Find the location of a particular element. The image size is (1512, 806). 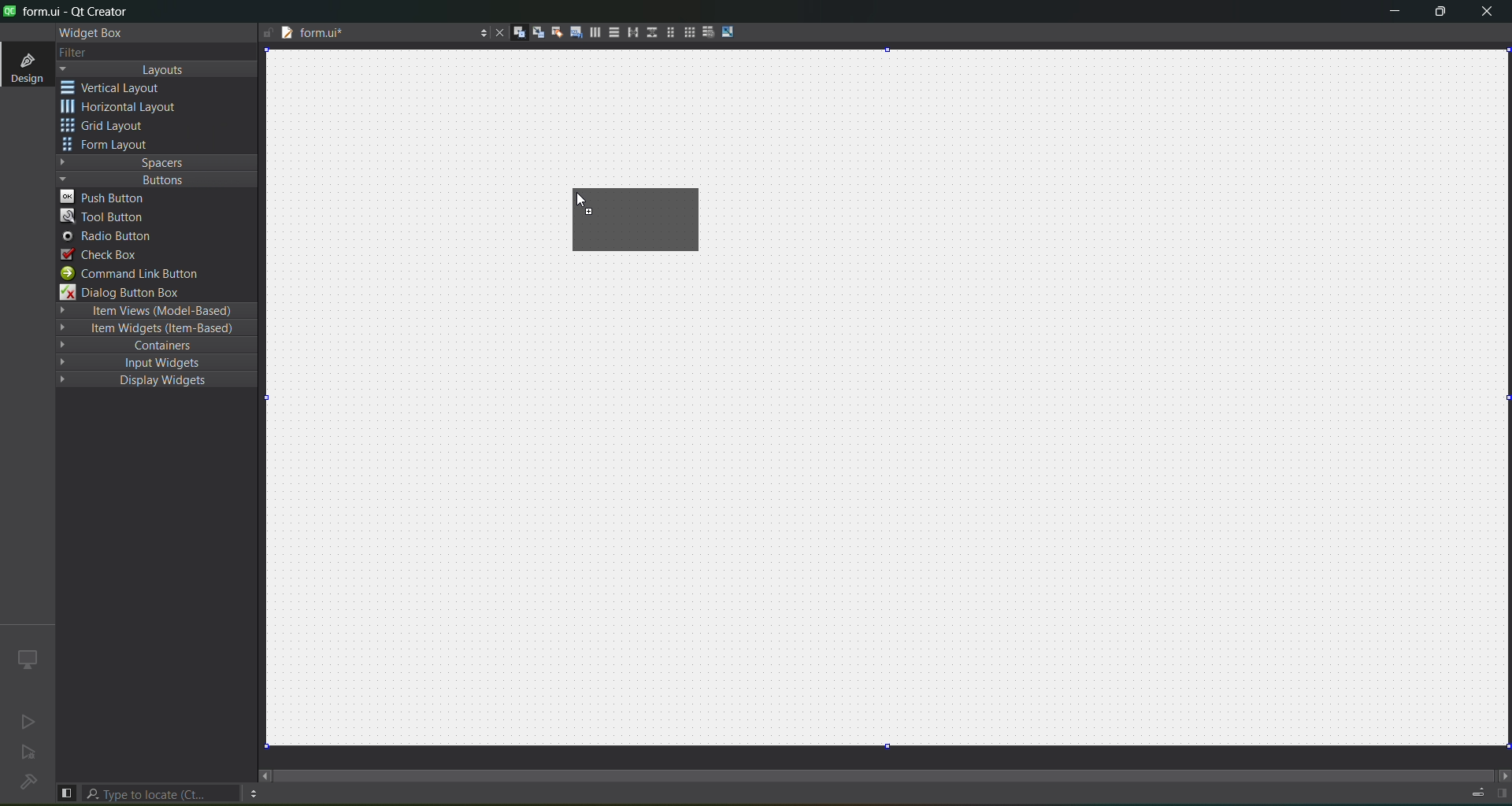

item widgets is located at coordinates (154, 331).